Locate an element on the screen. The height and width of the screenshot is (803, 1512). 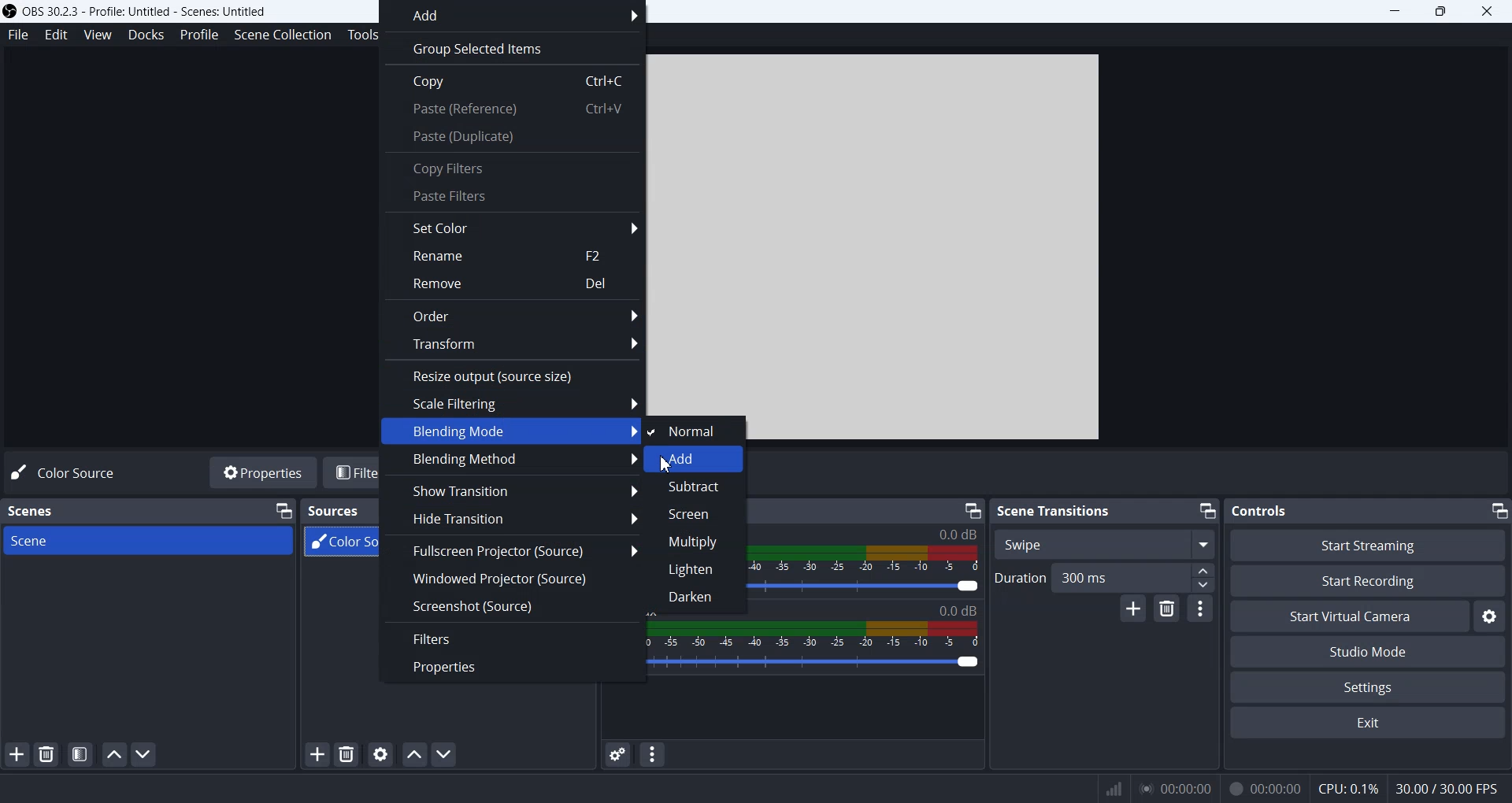
Remove Source is located at coordinates (346, 754).